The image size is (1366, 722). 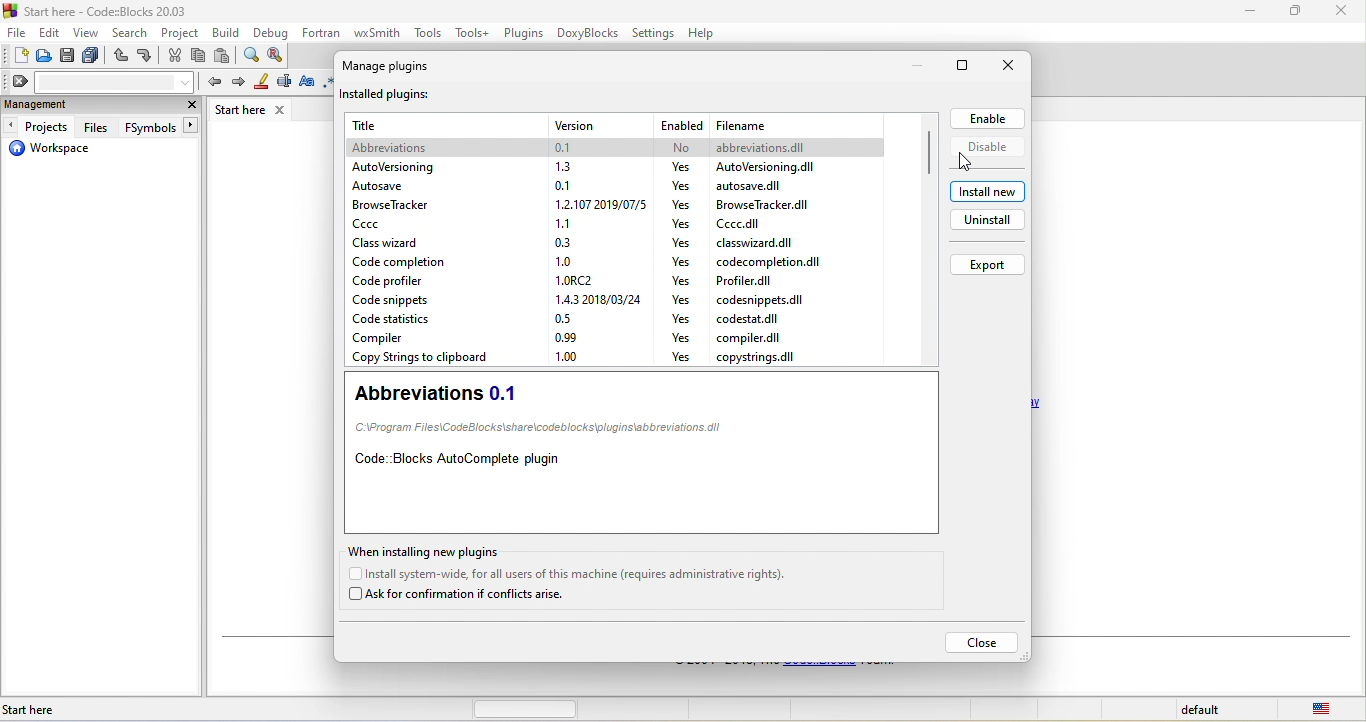 I want to click on tools++, so click(x=473, y=32).